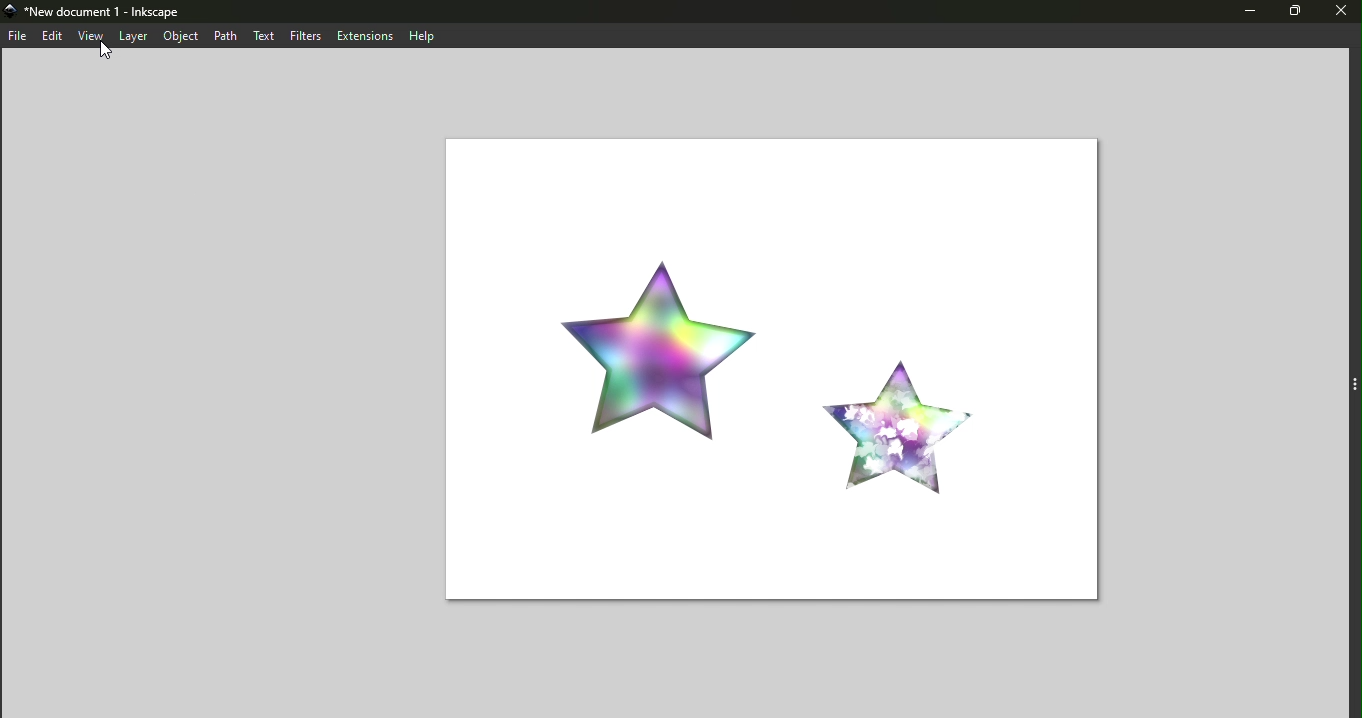 The height and width of the screenshot is (718, 1362). What do you see at coordinates (307, 35) in the screenshot?
I see `Filters` at bounding box center [307, 35].